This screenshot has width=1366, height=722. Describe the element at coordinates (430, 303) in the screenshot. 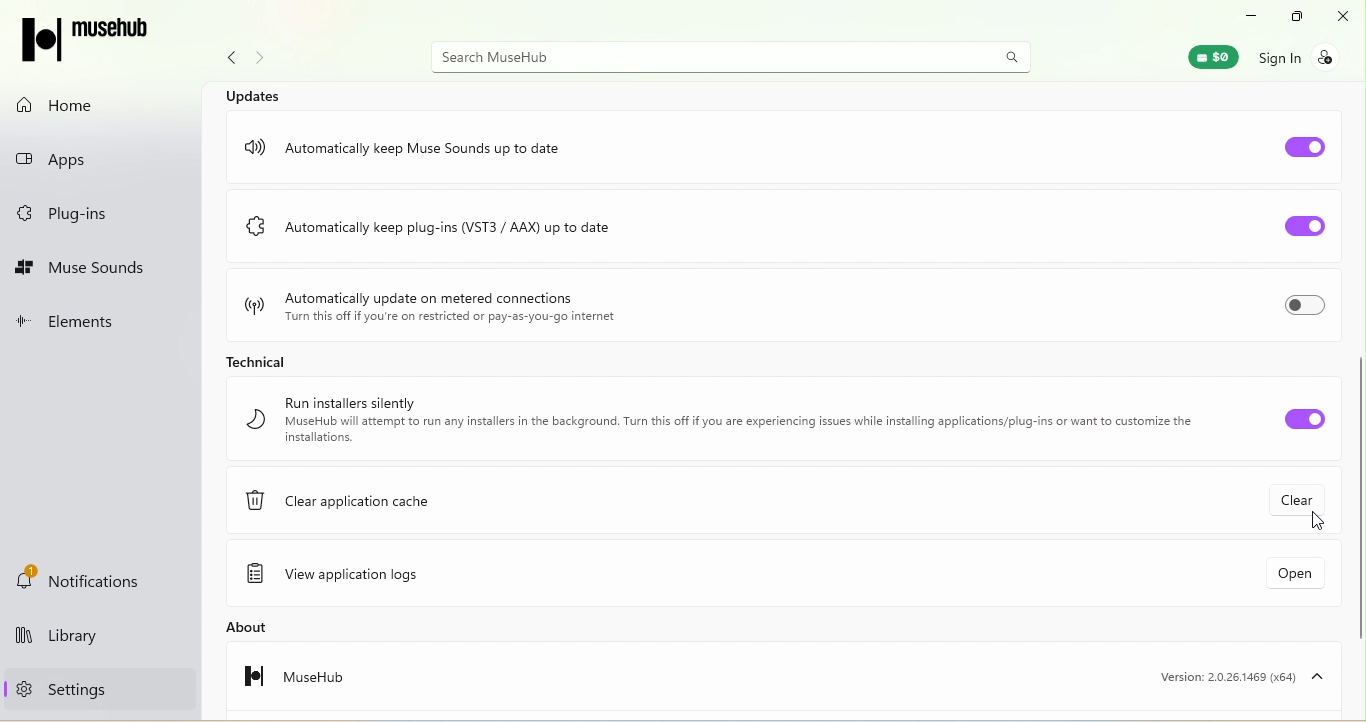

I see `Automatically update on metered connections Turn this off if you're on restricted or pay-as-you-go internet.` at that location.